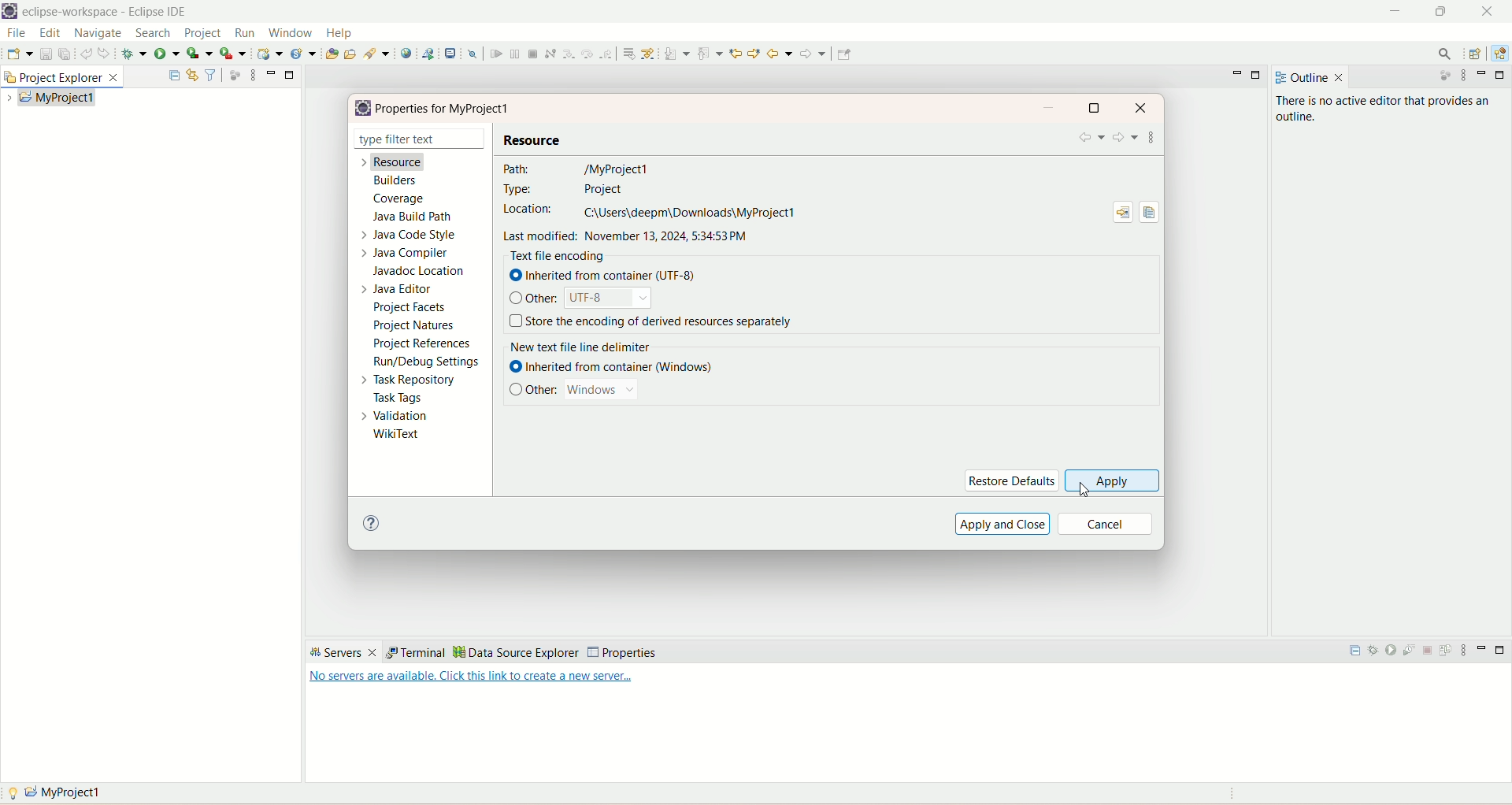 The image size is (1512, 805). Describe the element at coordinates (1312, 77) in the screenshot. I see `outline` at that location.